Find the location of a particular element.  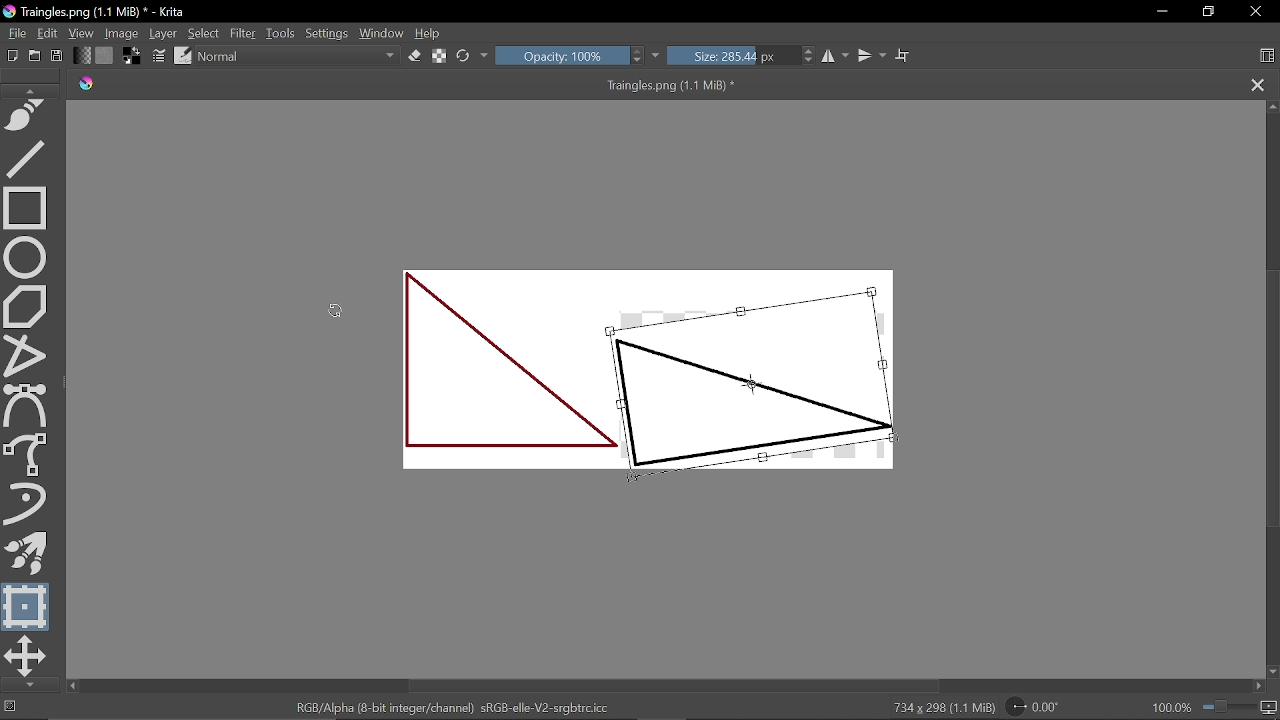

Opacity: 100% is located at coordinates (570, 57).